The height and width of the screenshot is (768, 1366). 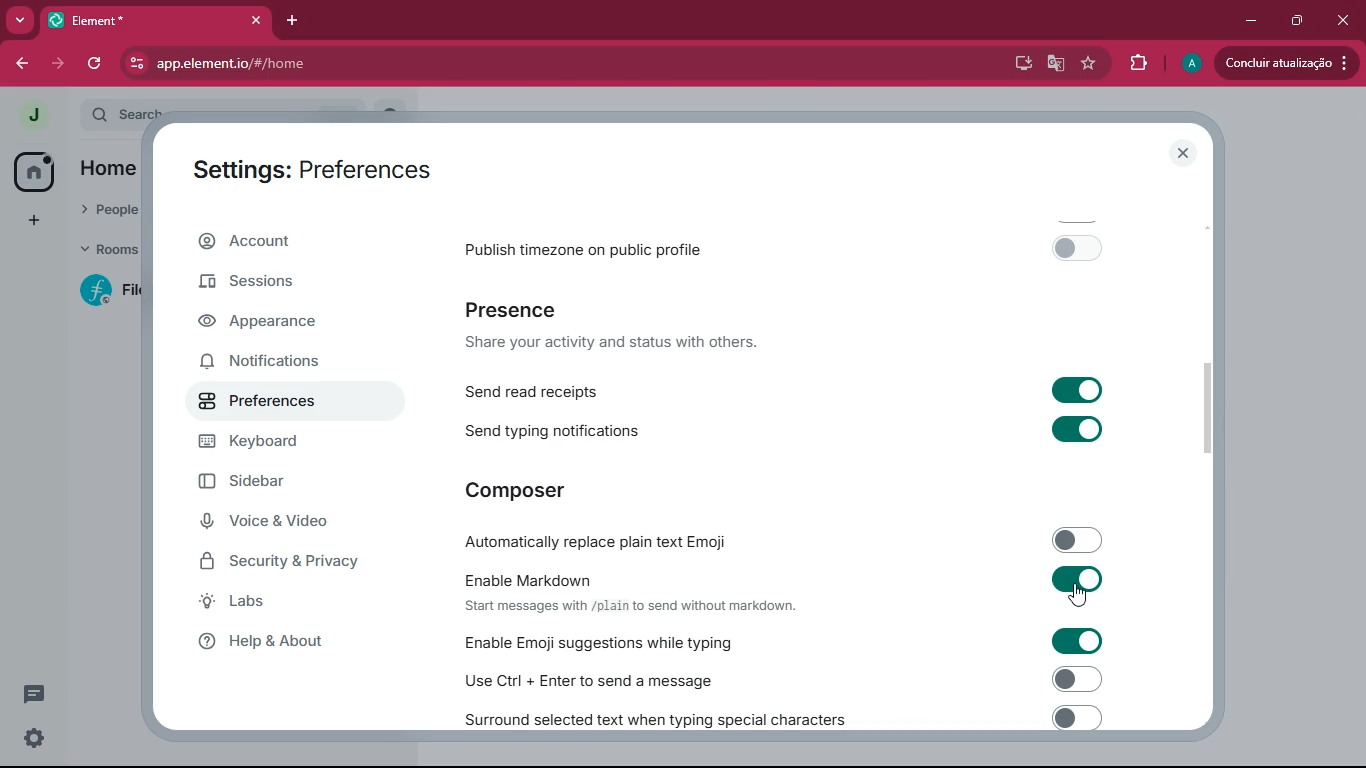 I want to click on cursor, so click(x=1078, y=597).